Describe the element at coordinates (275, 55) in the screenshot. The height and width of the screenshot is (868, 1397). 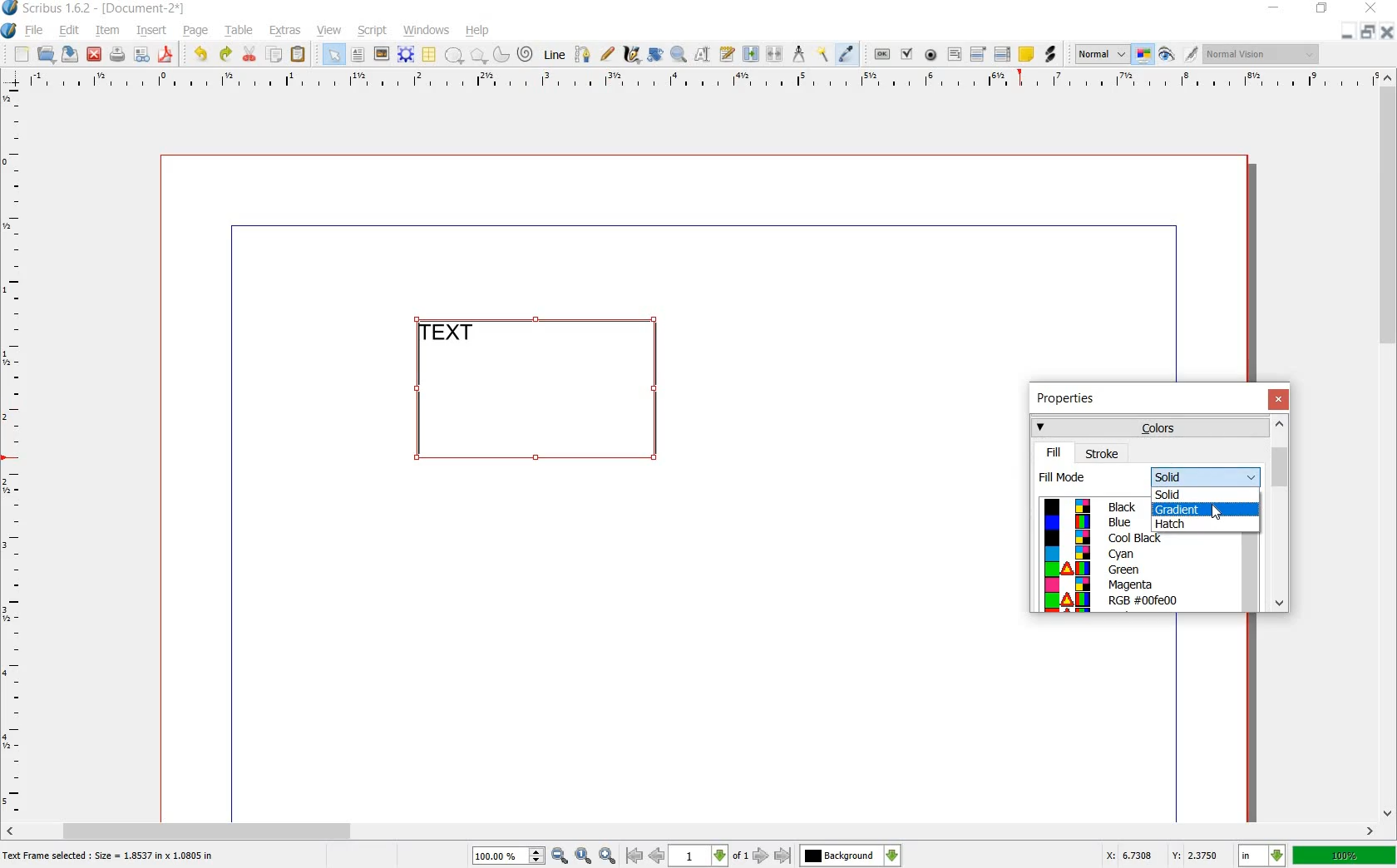
I see `copy` at that location.